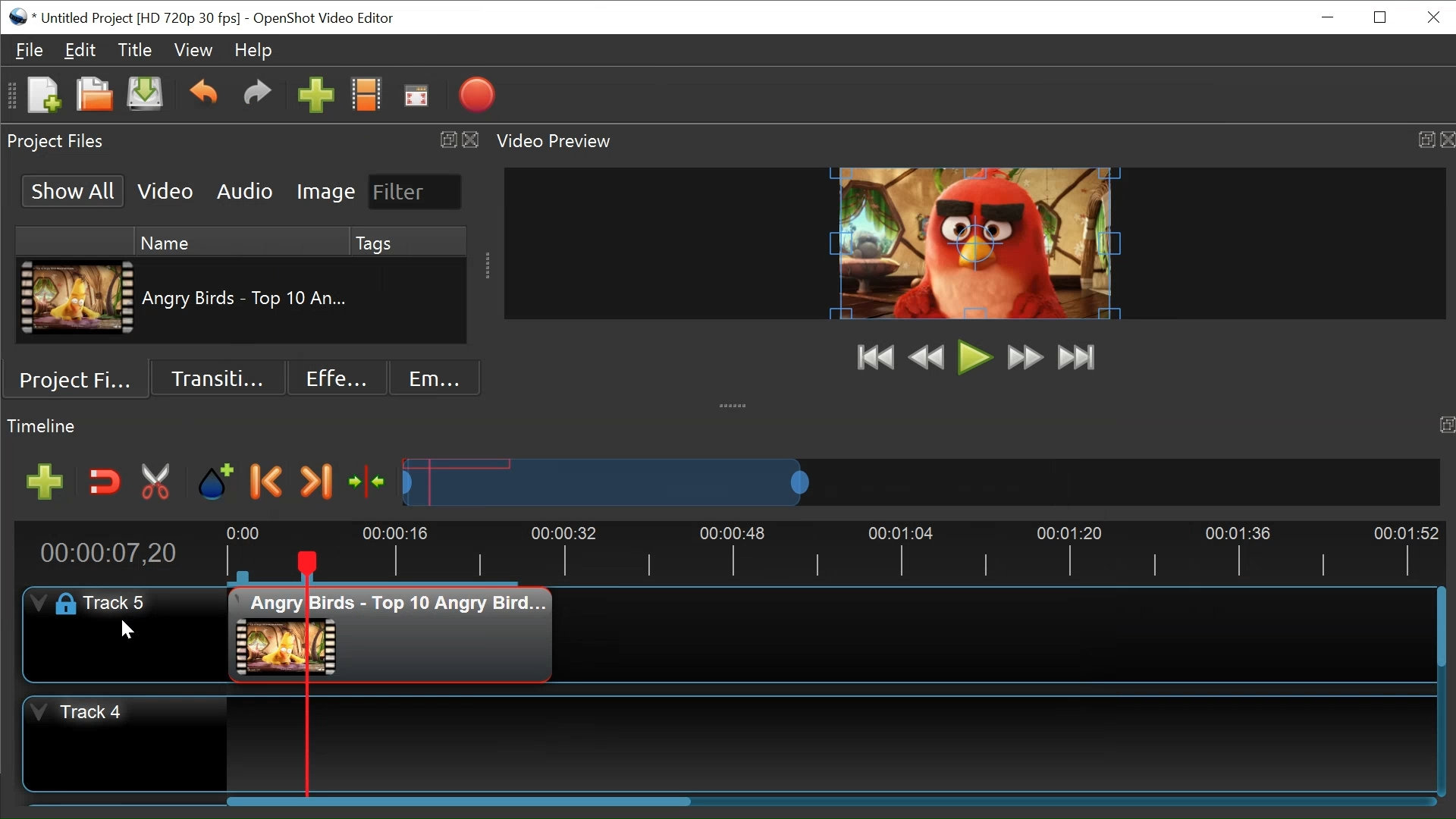 The image size is (1456, 819). I want to click on Undo, so click(206, 96).